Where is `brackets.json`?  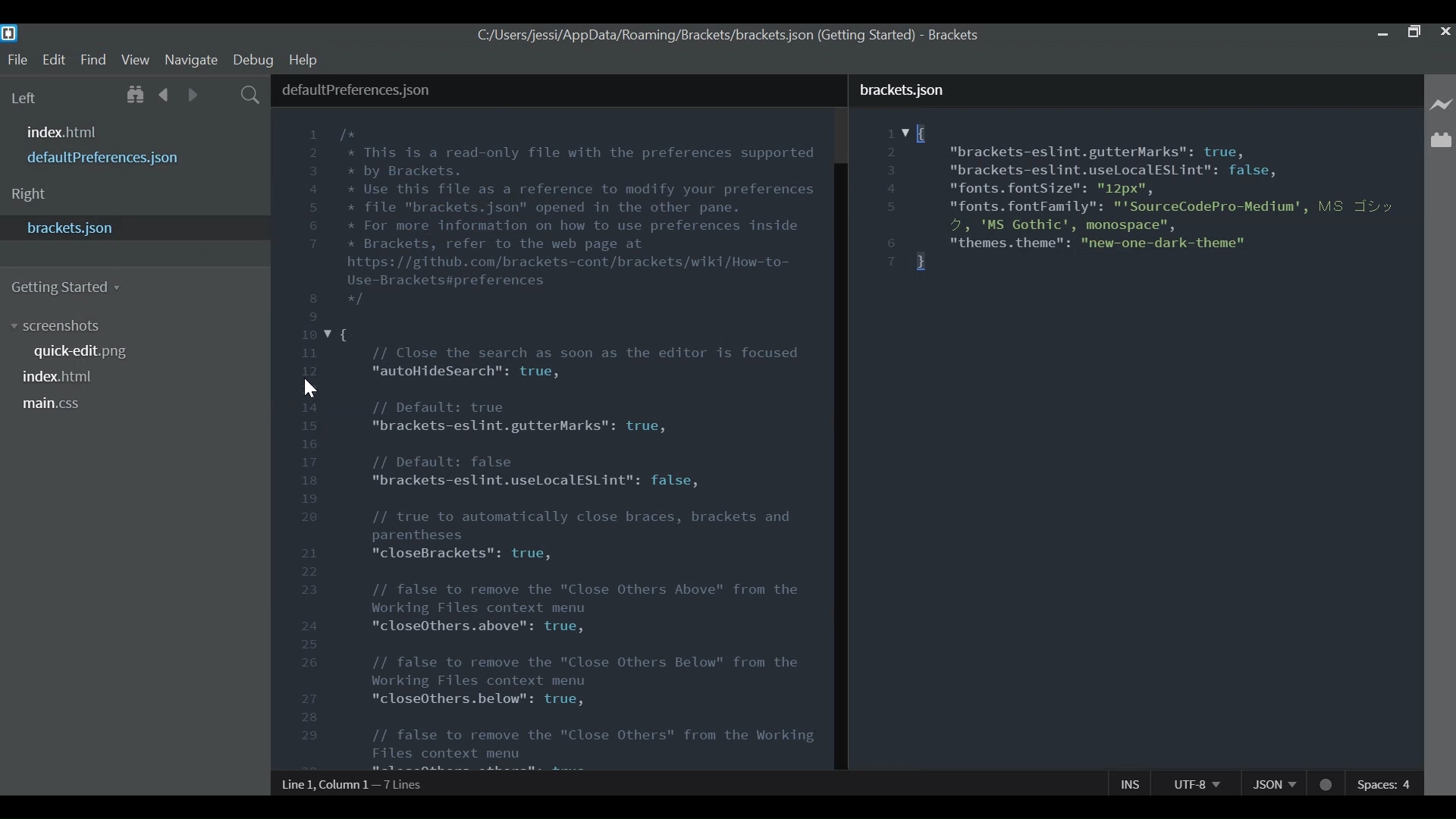 brackets.json is located at coordinates (135, 230).